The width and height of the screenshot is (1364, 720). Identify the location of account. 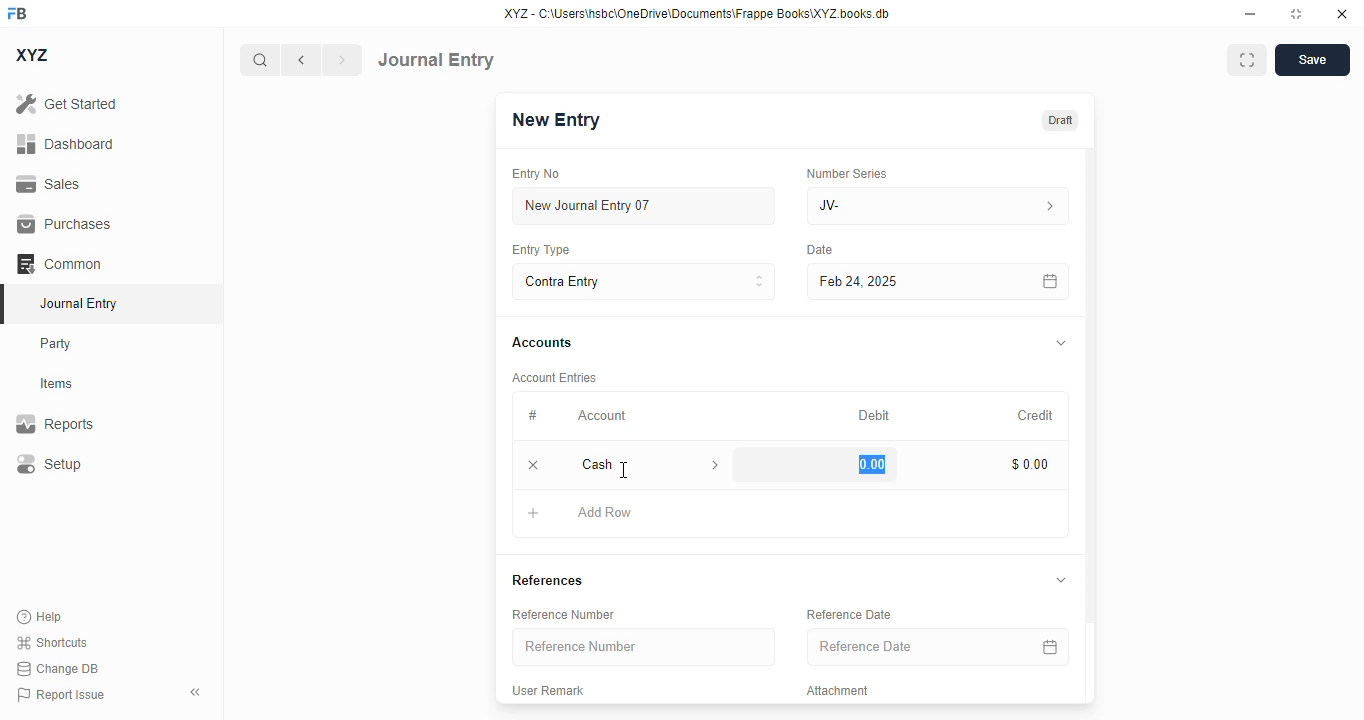
(602, 416).